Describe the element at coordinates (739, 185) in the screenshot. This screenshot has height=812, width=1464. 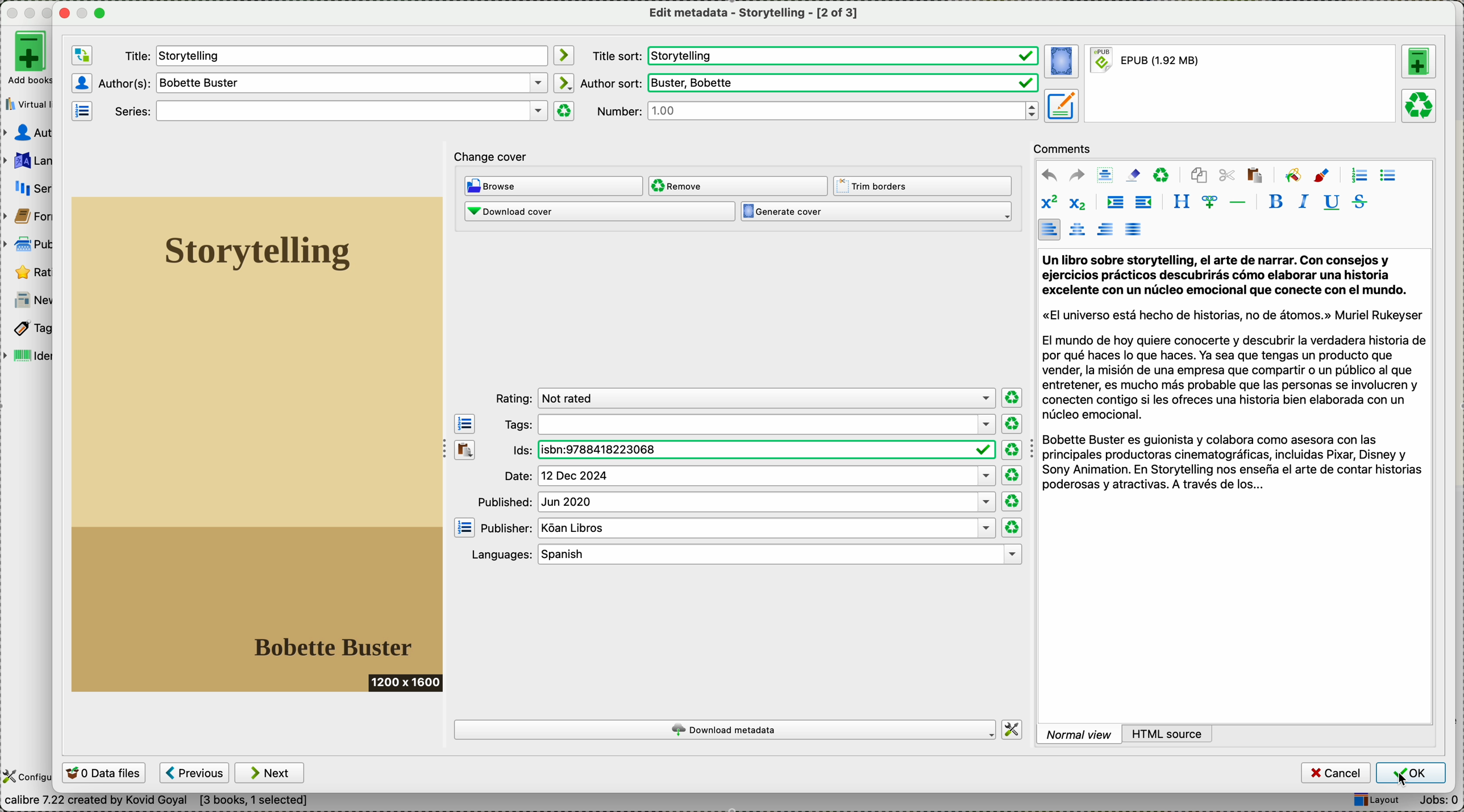
I see `remove` at that location.